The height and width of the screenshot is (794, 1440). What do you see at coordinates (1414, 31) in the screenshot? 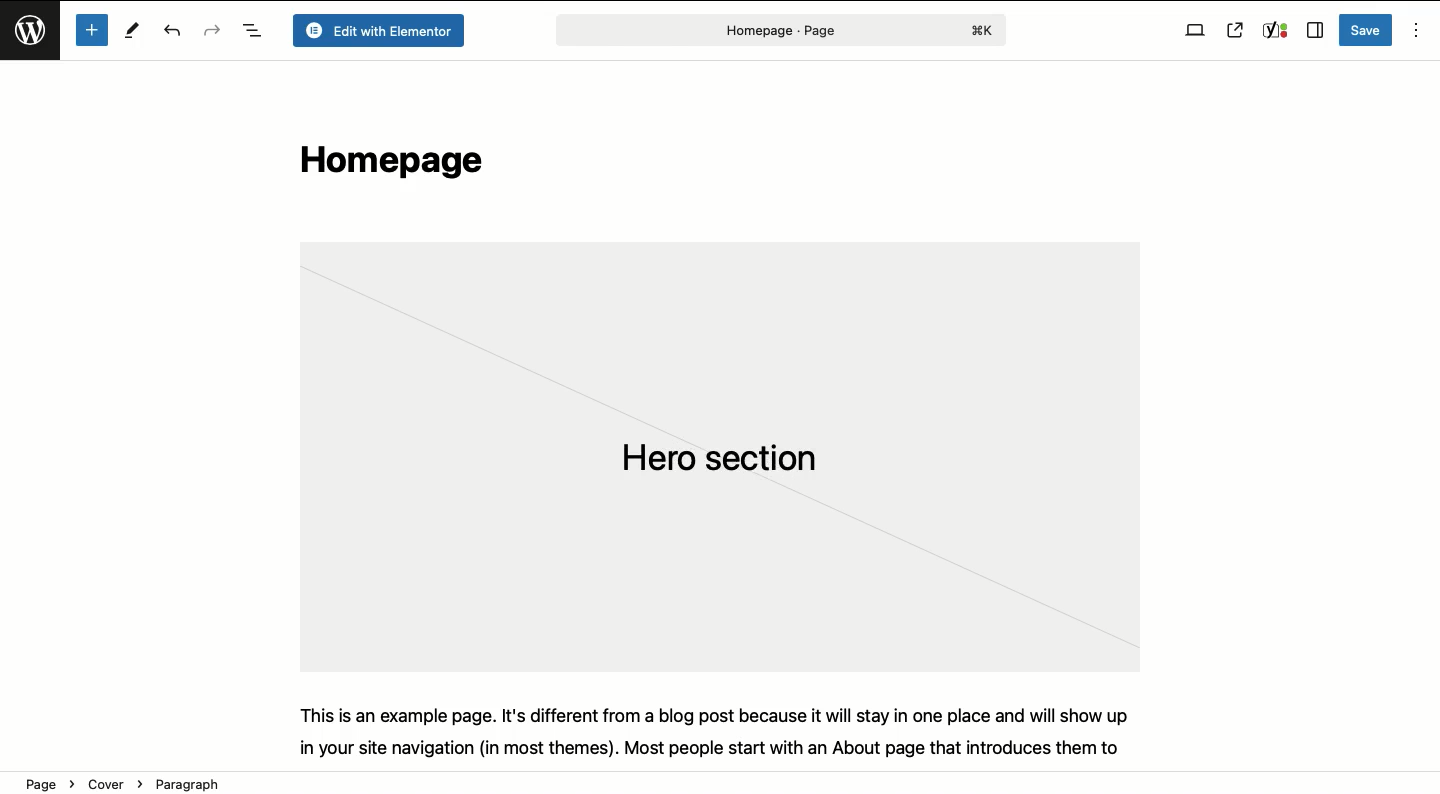
I see `Options` at bounding box center [1414, 31].